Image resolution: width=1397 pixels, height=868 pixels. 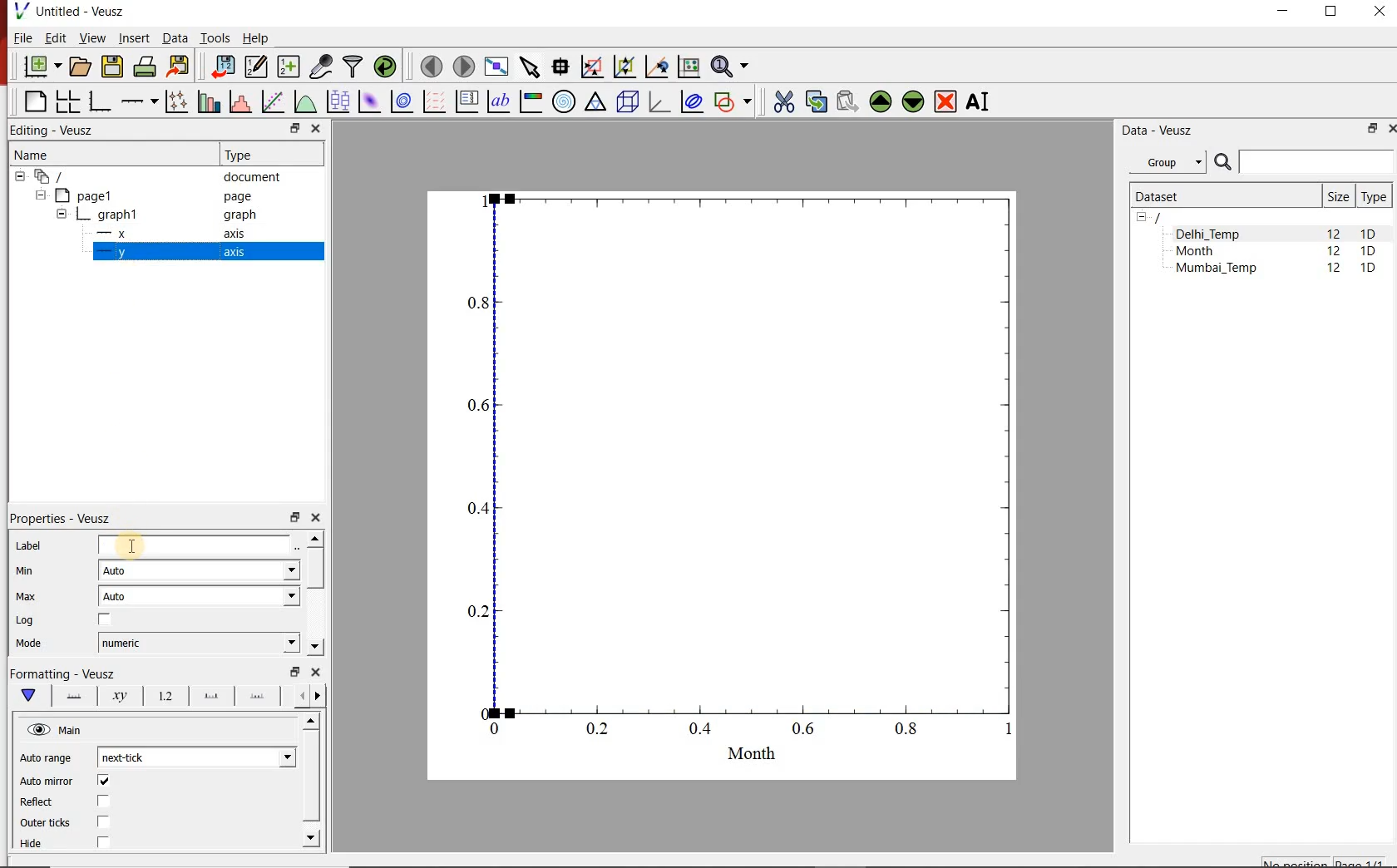 I want to click on 1D, so click(x=1368, y=252).